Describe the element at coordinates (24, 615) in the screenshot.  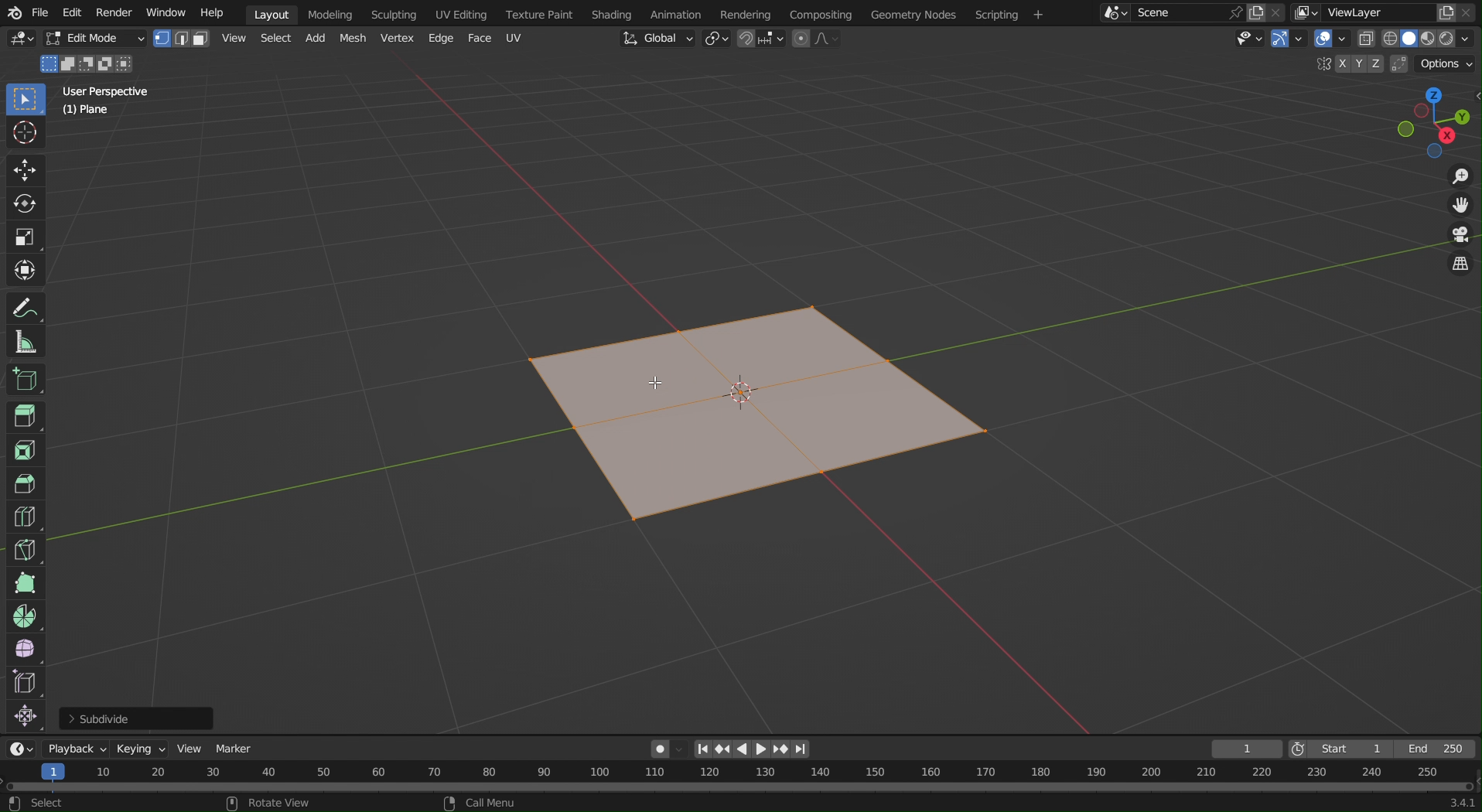
I see `Spin` at that location.